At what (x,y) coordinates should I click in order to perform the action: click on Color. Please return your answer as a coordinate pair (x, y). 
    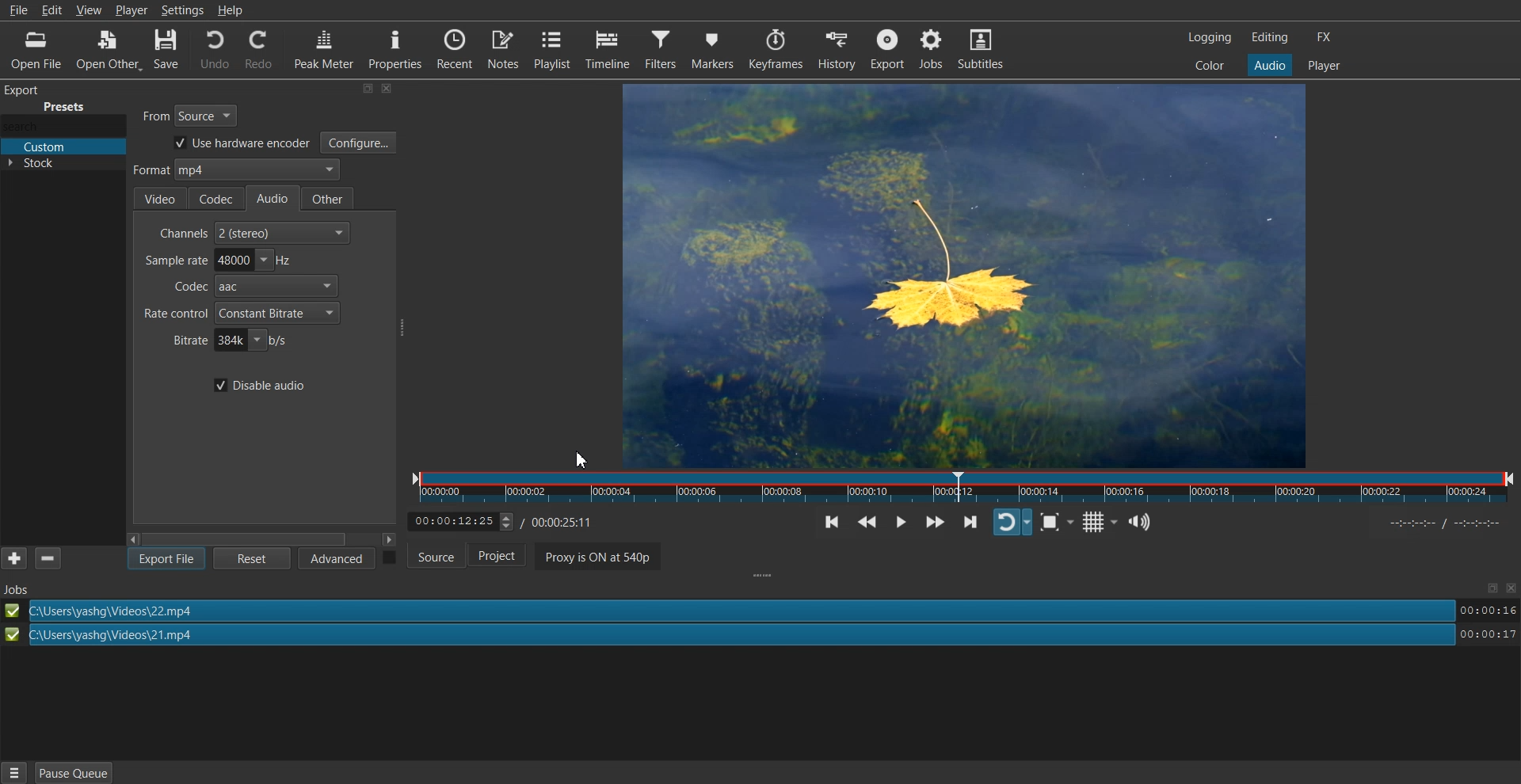
    Looking at the image, I should click on (1210, 64).